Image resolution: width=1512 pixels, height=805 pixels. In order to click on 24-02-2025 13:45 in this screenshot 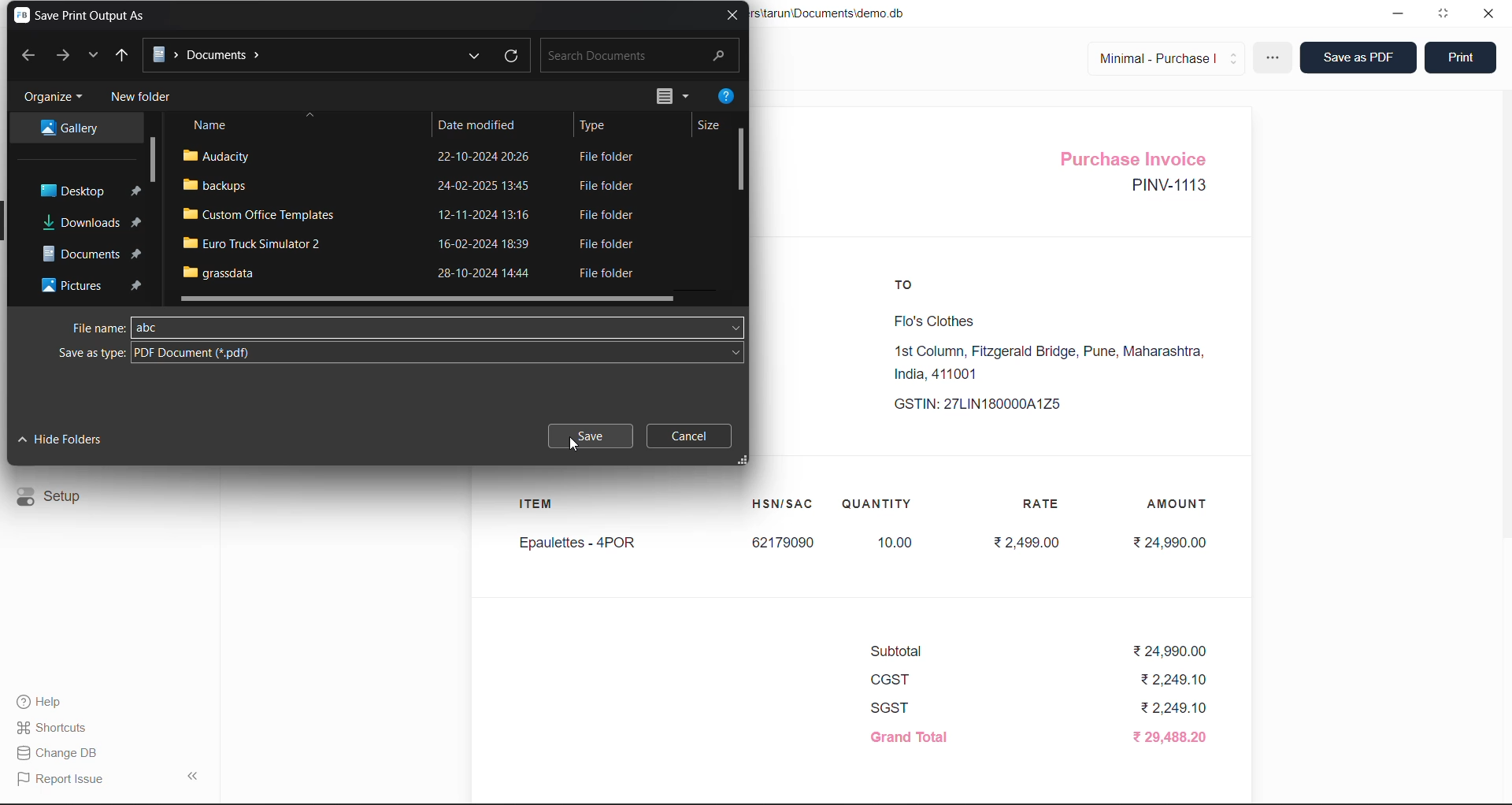, I will do `click(485, 187)`.